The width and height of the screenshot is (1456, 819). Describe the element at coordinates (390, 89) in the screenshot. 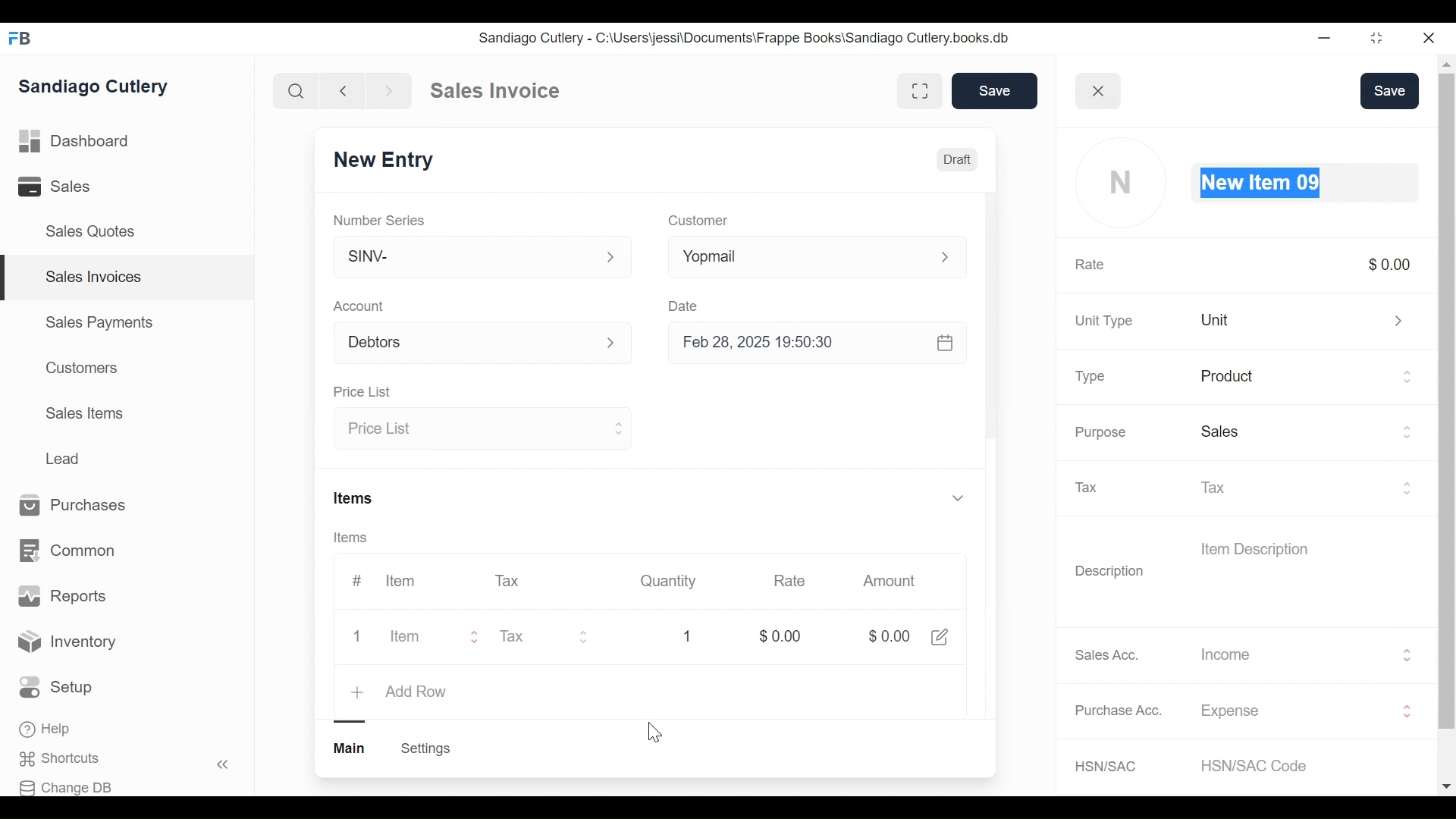

I see `forward` at that location.